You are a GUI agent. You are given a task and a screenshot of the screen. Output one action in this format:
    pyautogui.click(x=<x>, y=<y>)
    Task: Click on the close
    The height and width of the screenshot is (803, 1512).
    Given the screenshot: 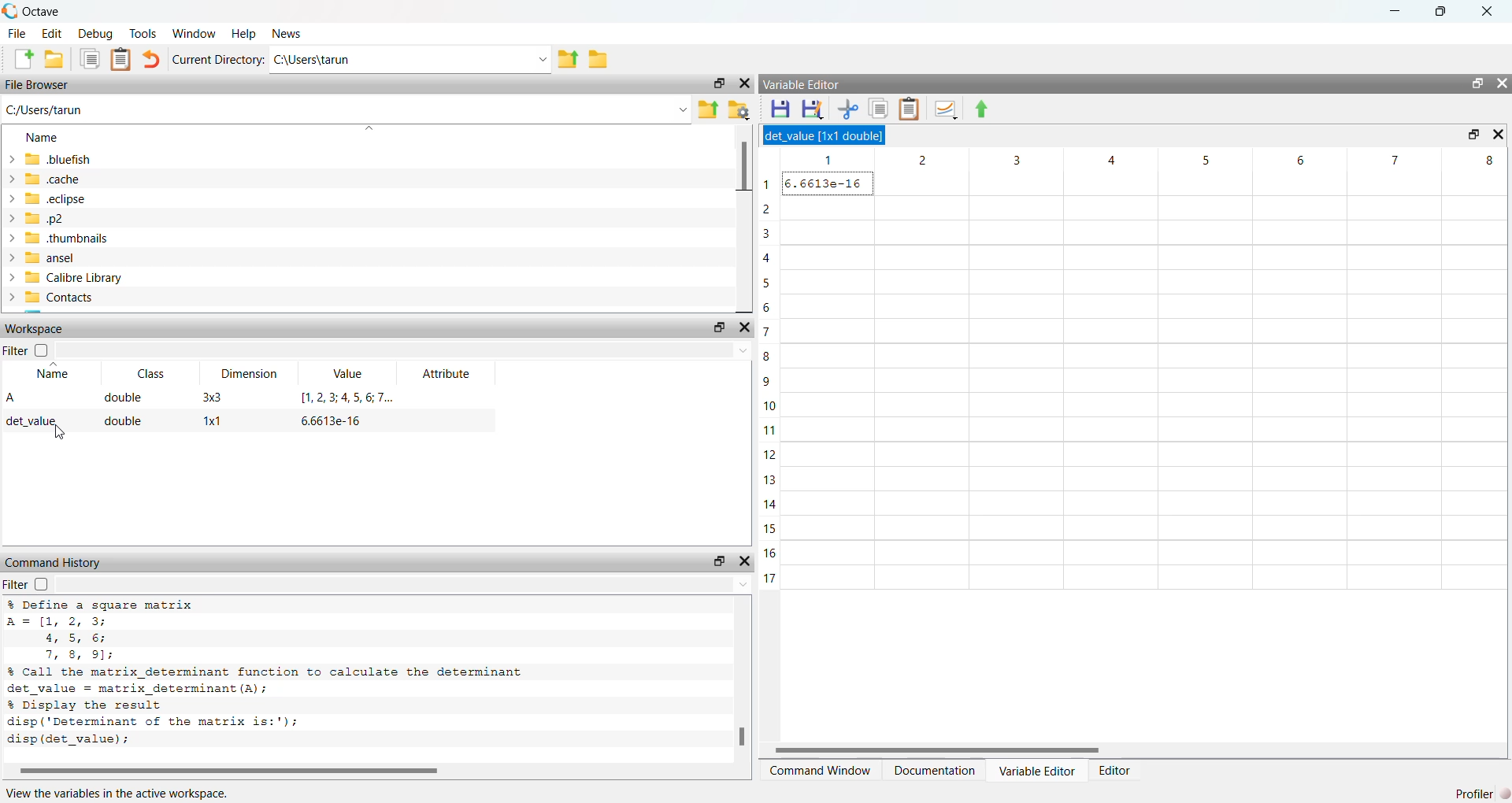 What is the action you would take?
    pyautogui.click(x=1487, y=13)
    